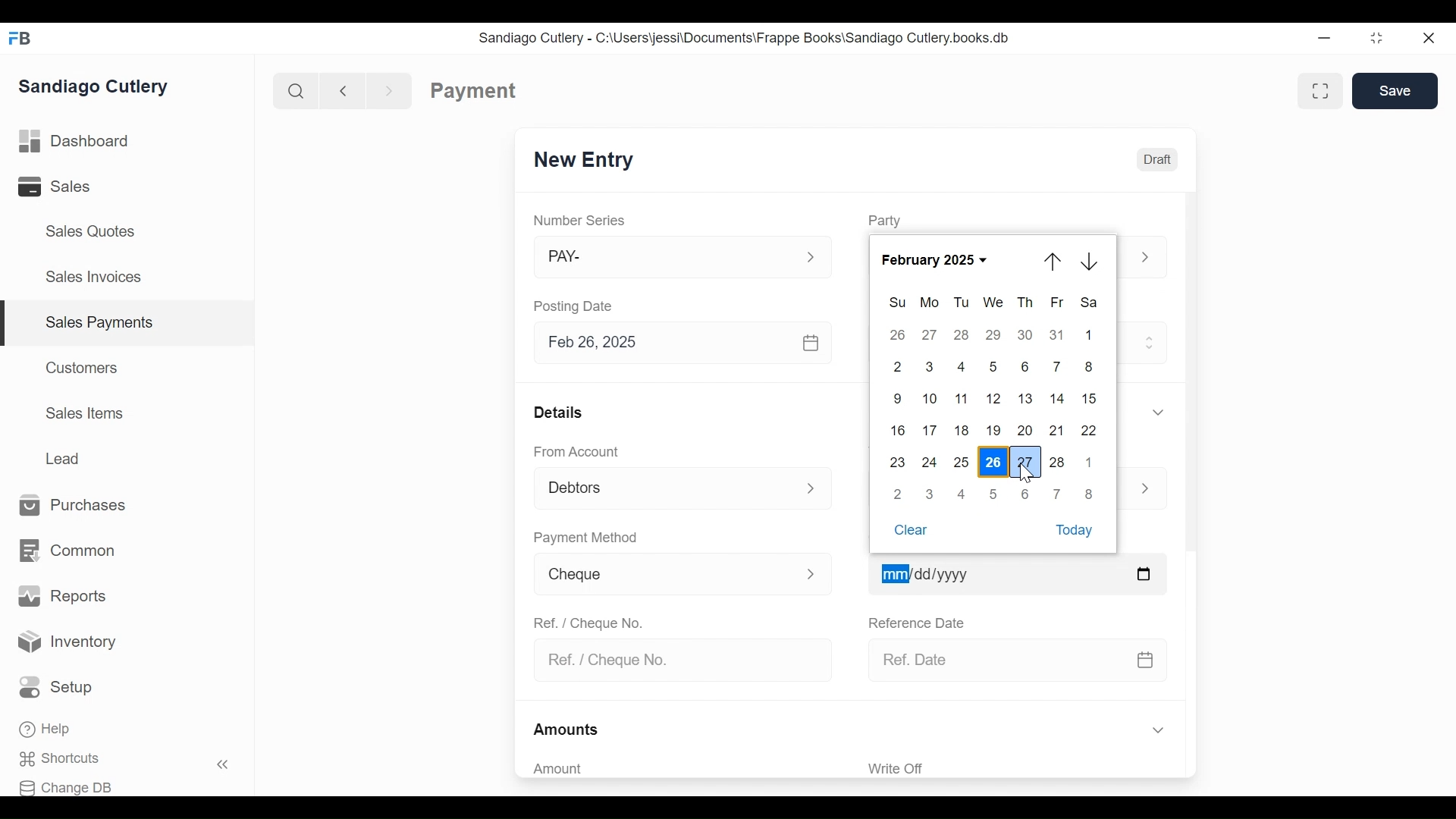 Image resolution: width=1456 pixels, height=819 pixels. Describe the element at coordinates (1430, 38) in the screenshot. I see `Close ` at that location.